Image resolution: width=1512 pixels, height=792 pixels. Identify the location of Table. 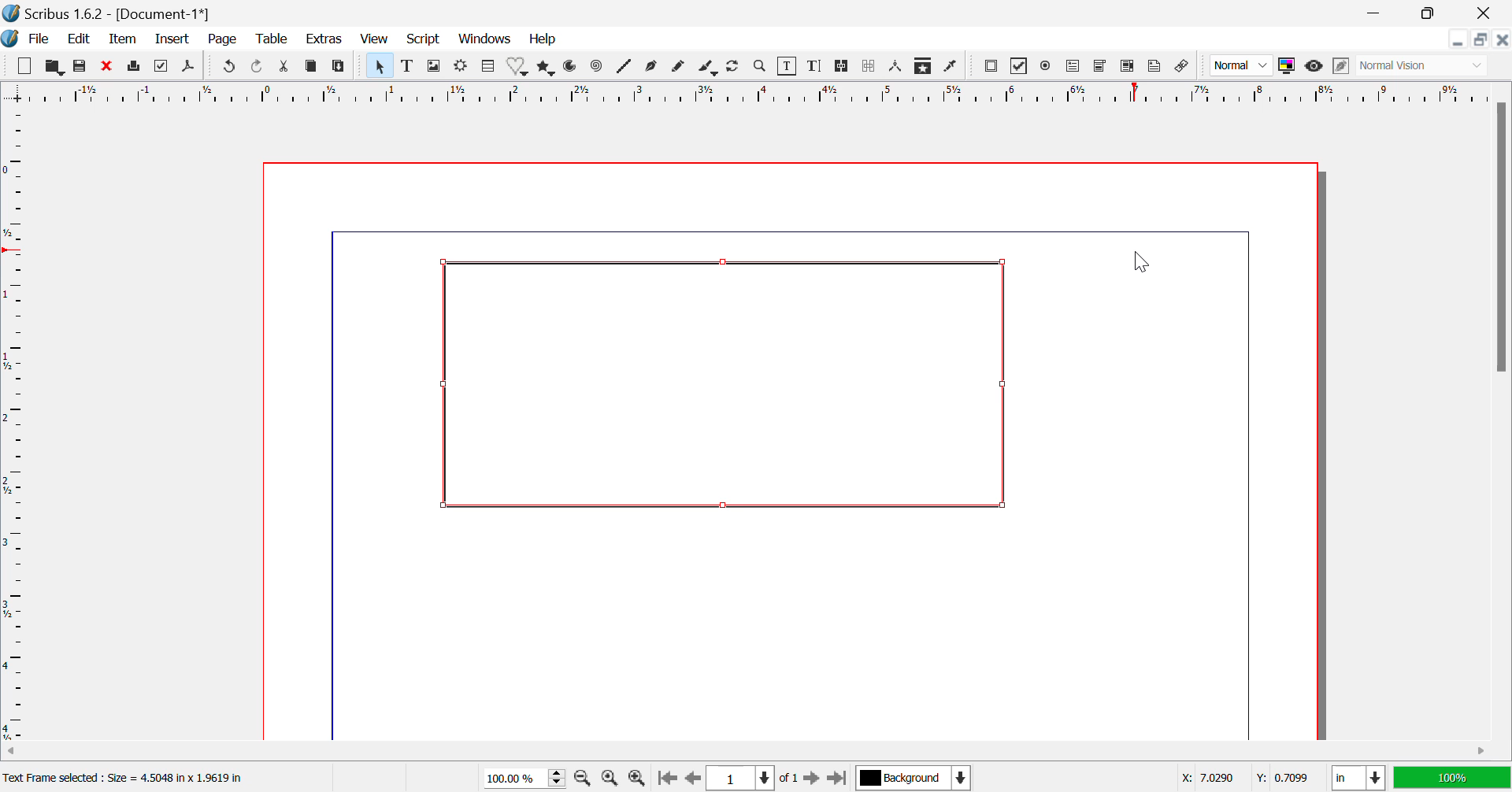
(272, 41).